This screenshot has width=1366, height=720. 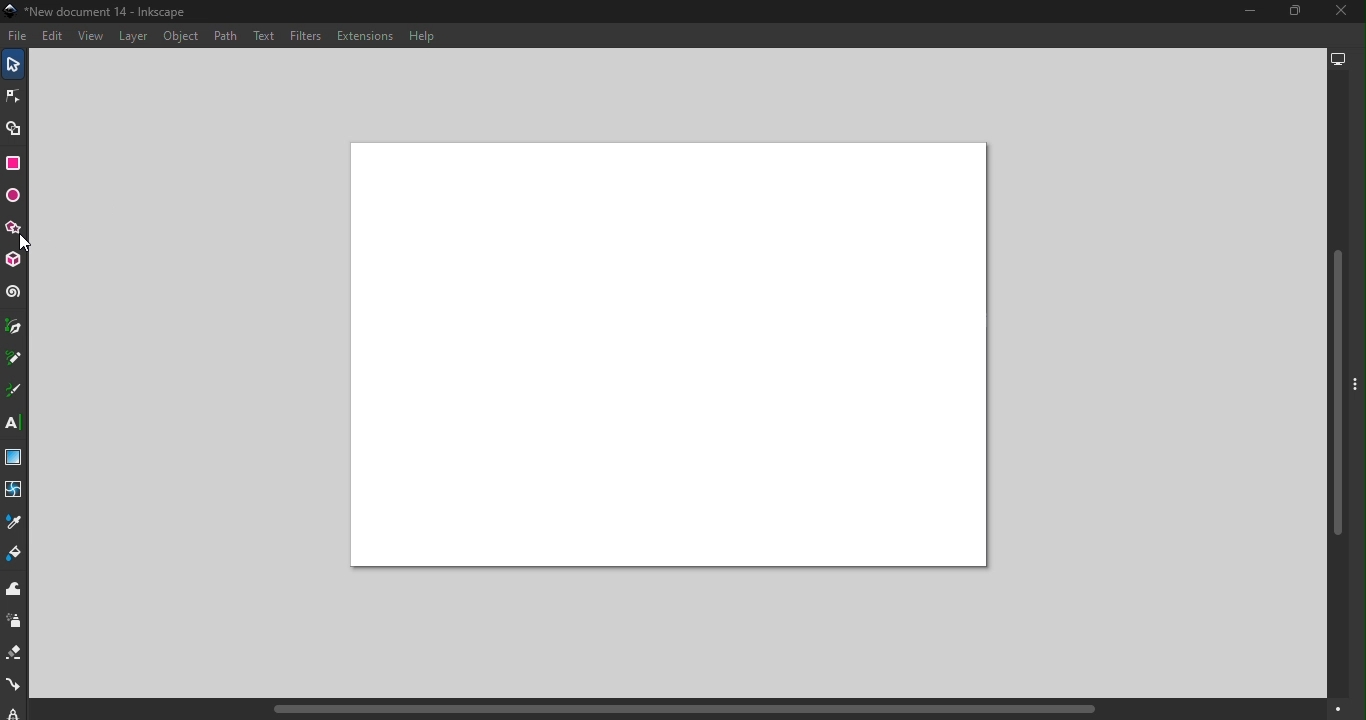 What do you see at coordinates (104, 11) in the screenshot?
I see `Document name` at bounding box center [104, 11].